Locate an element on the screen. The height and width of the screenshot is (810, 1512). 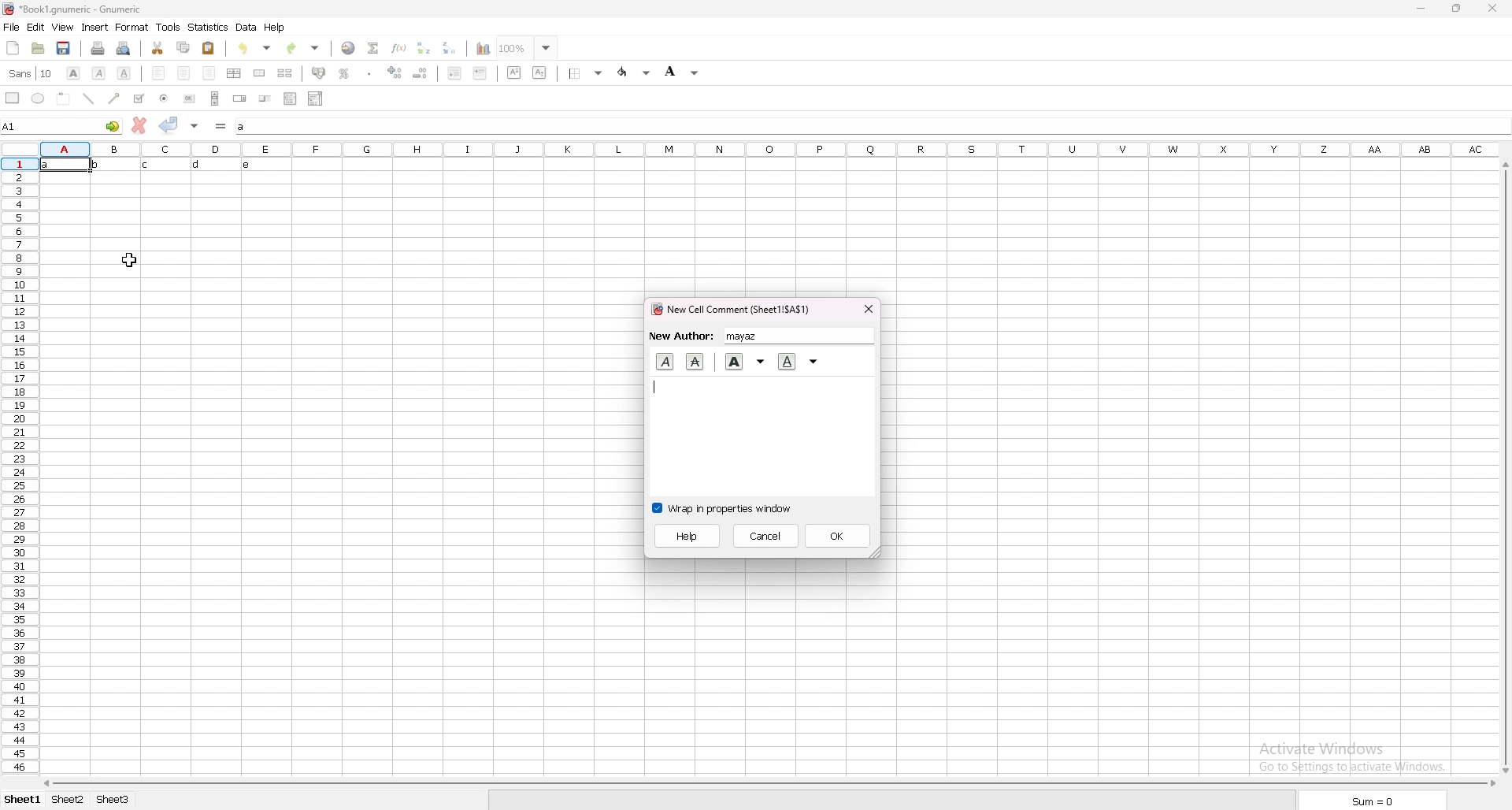
rectangle is located at coordinates (13, 97).